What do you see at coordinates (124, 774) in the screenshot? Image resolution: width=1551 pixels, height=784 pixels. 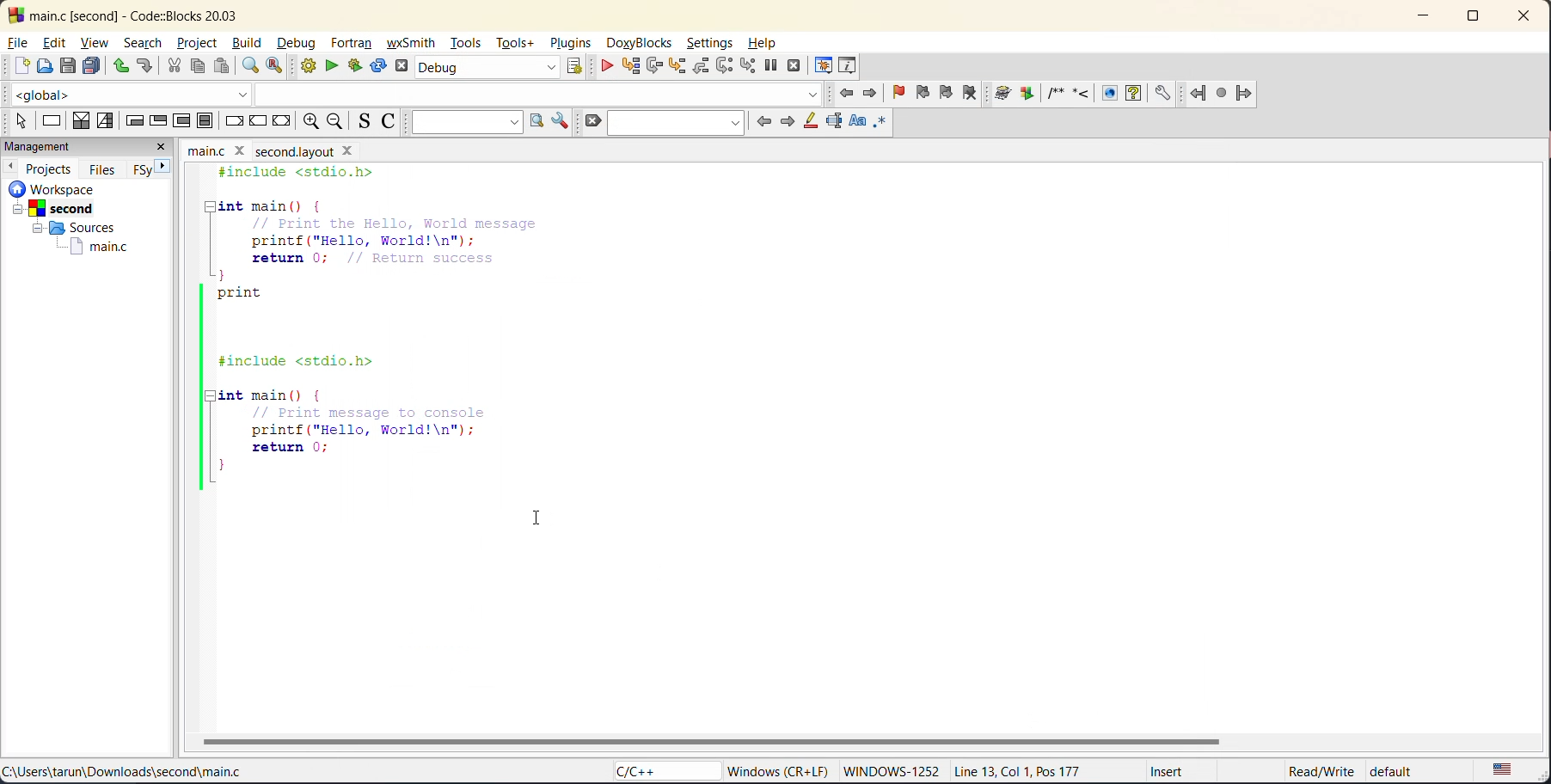 I see `file location` at bounding box center [124, 774].